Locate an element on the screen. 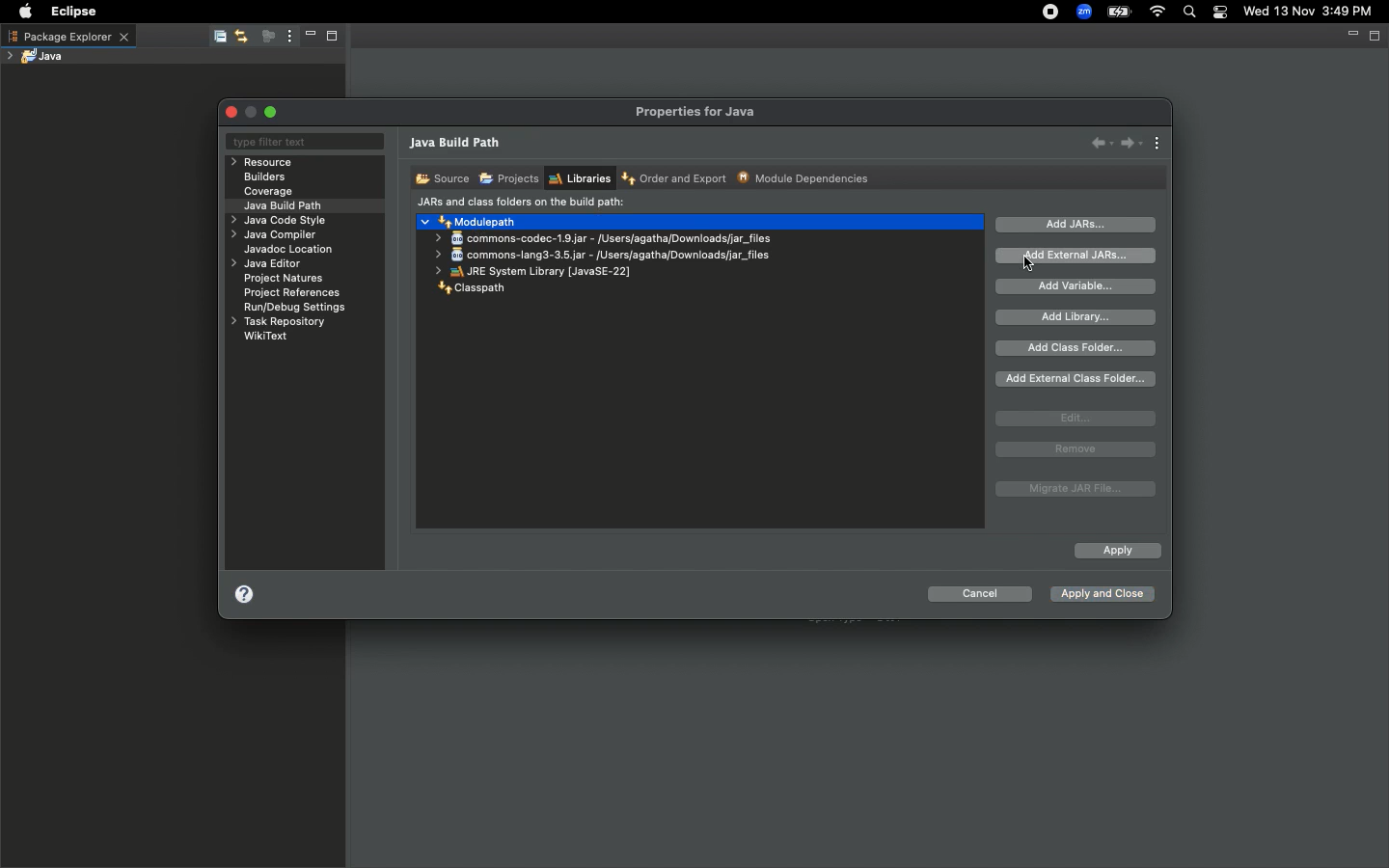  View menu is located at coordinates (1158, 145).